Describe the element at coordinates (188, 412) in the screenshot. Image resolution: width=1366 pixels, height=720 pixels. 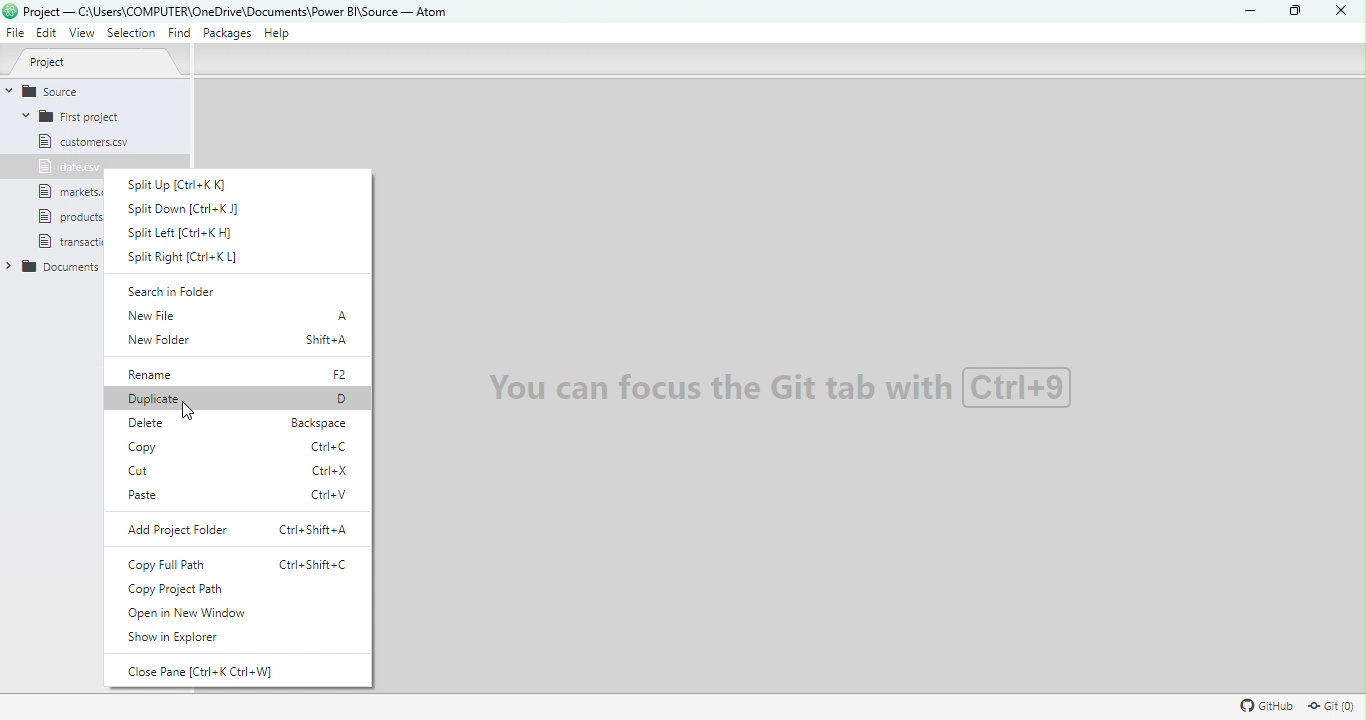
I see `cursor` at that location.